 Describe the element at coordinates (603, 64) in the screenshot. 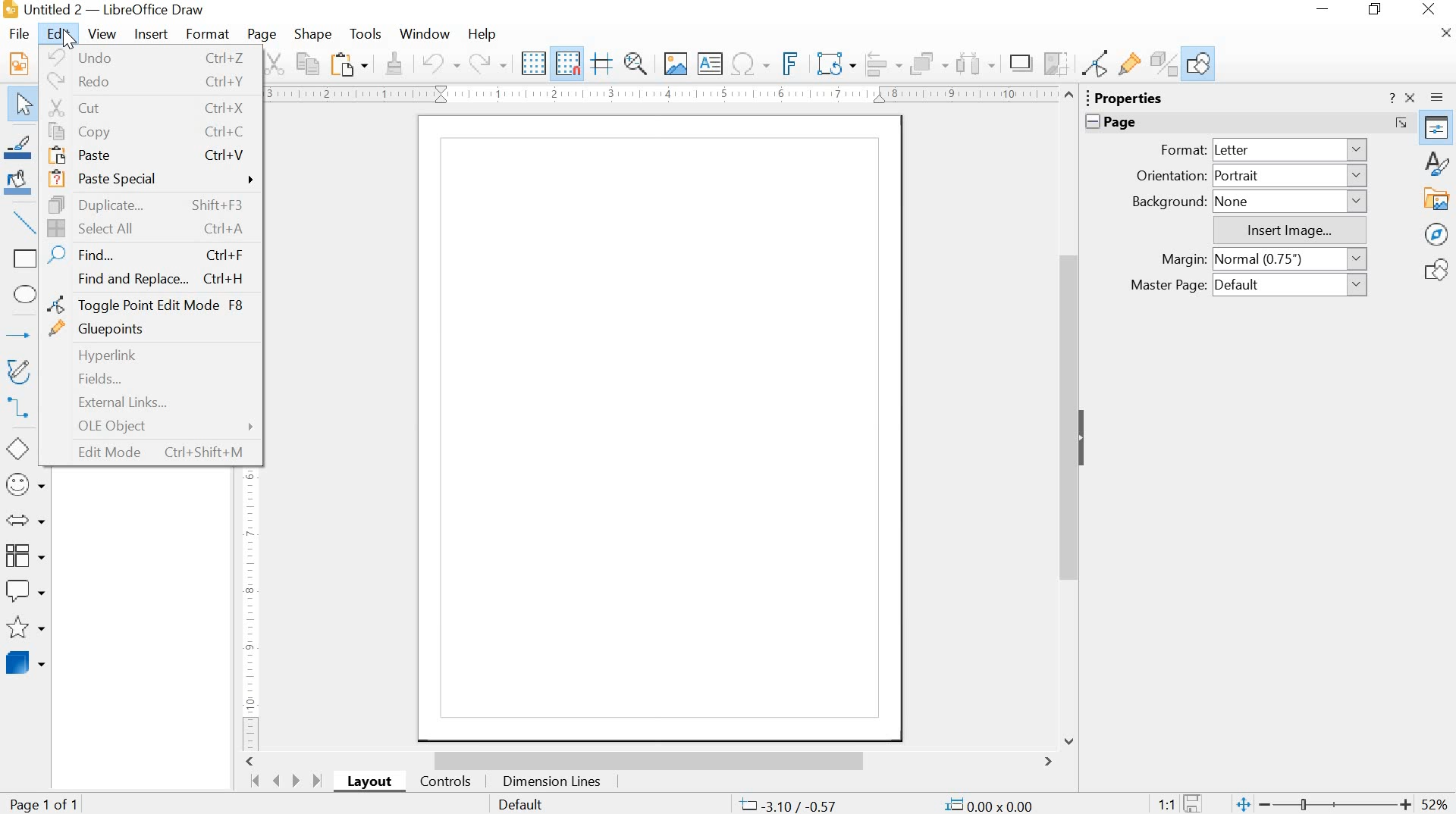

I see `Helplines While Moving` at that location.